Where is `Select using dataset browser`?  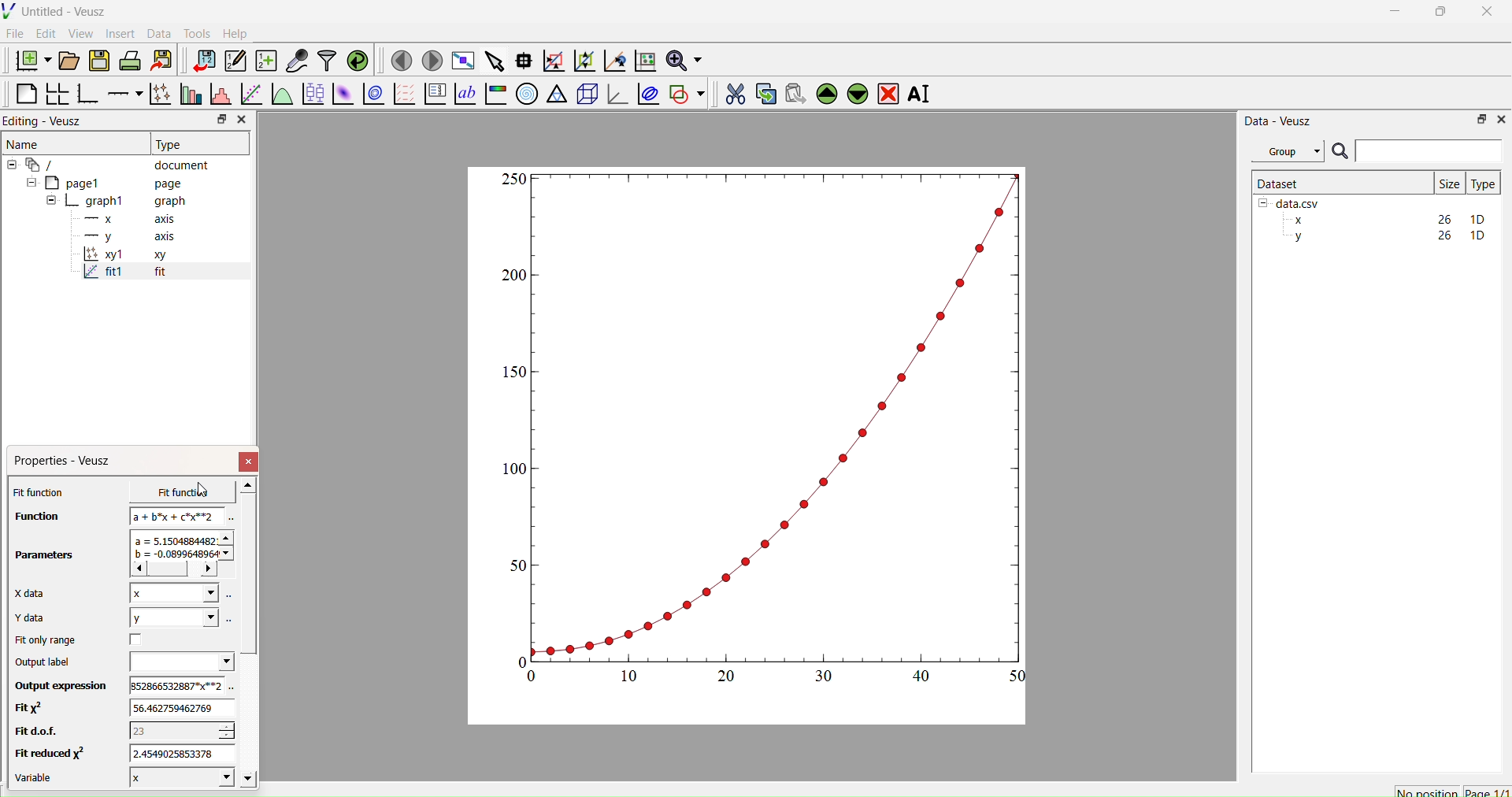 Select using dataset browser is located at coordinates (230, 619).